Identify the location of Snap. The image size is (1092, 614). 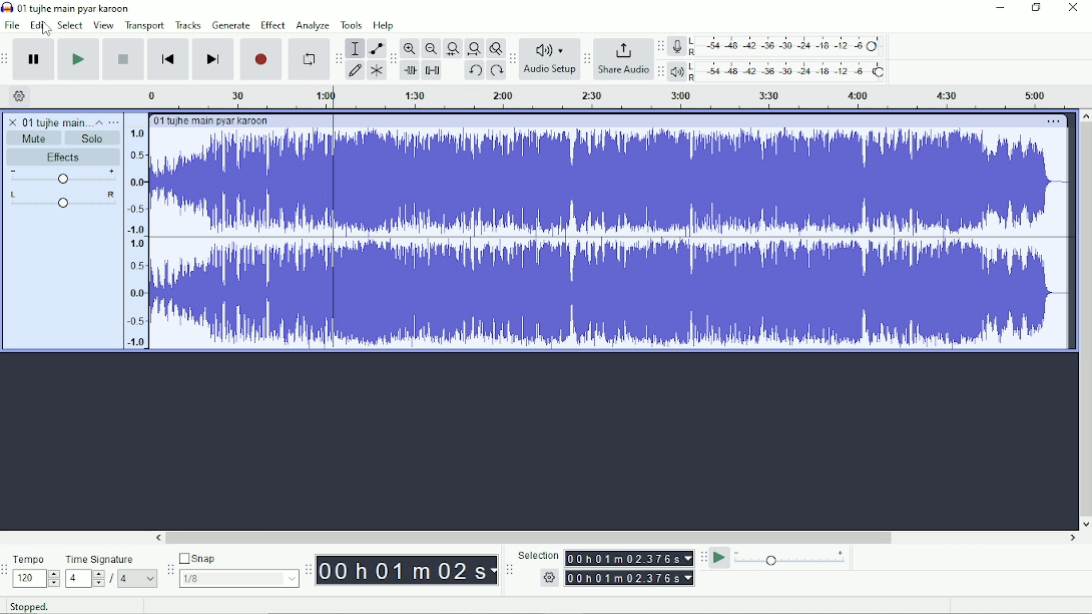
(238, 569).